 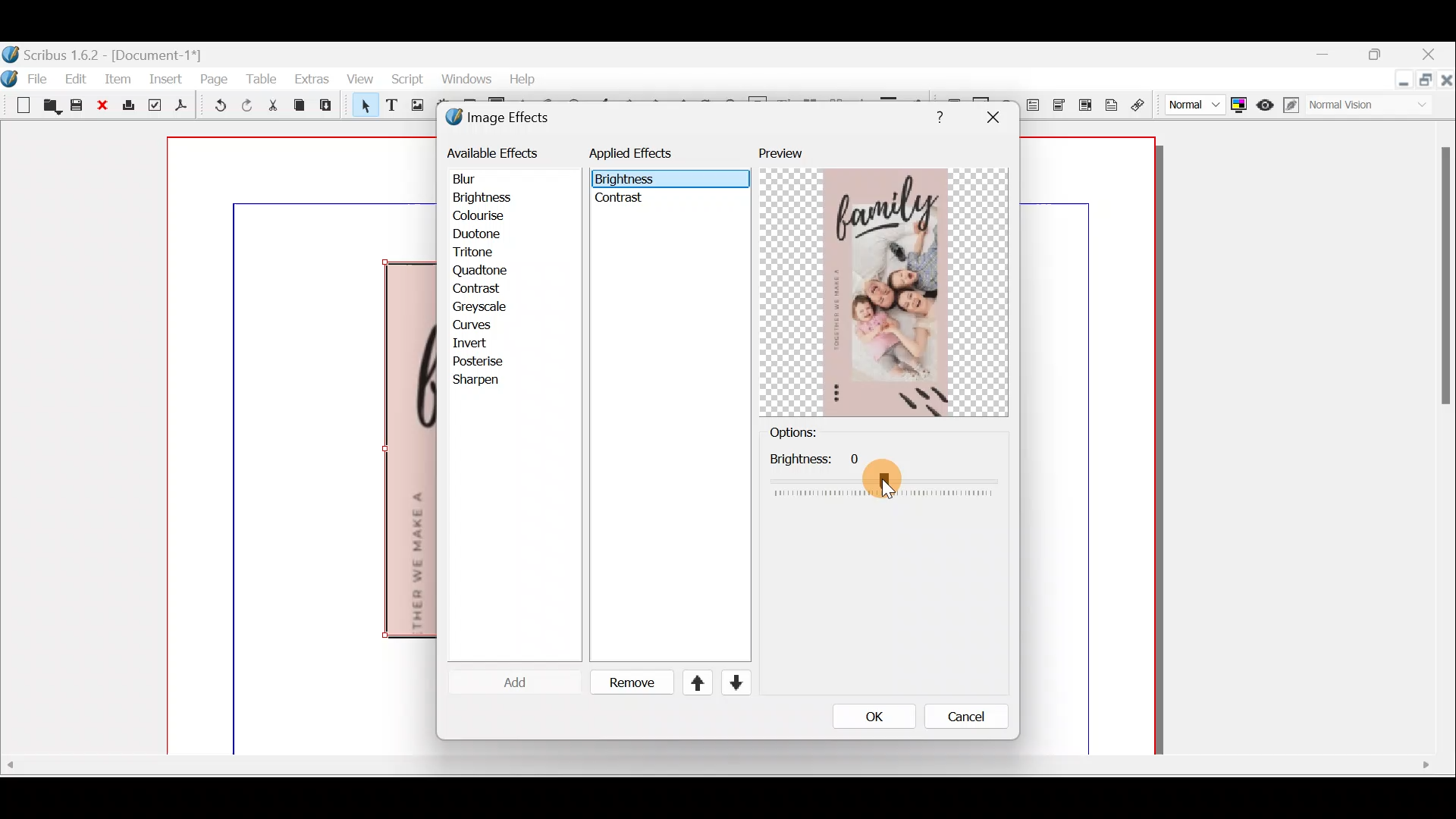 What do you see at coordinates (1032, 105) in the screenshot?
I see `PDF text field` at bounding box center [1032, 105].